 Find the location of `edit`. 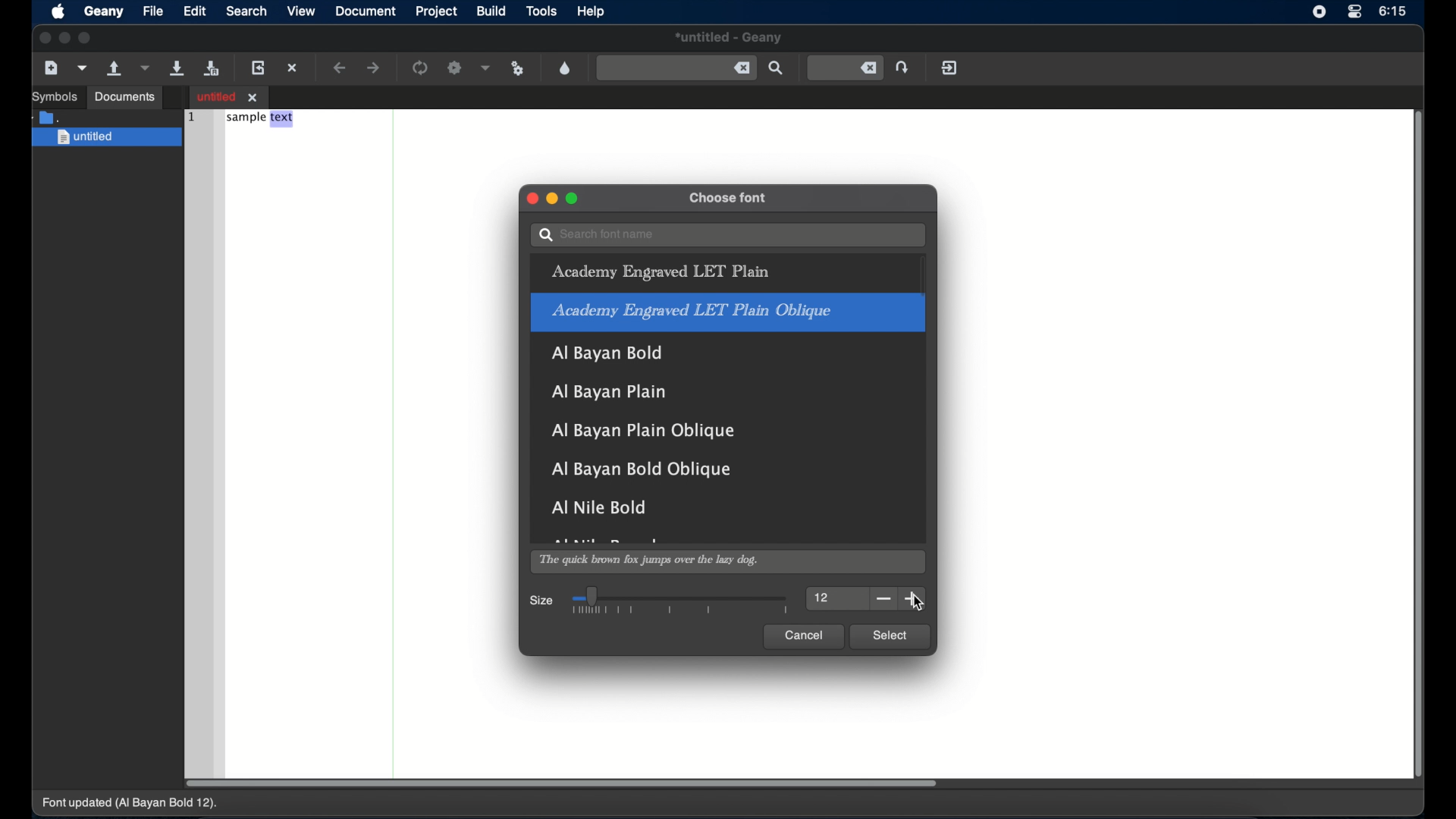

edit is located at coordinates (196, 11).